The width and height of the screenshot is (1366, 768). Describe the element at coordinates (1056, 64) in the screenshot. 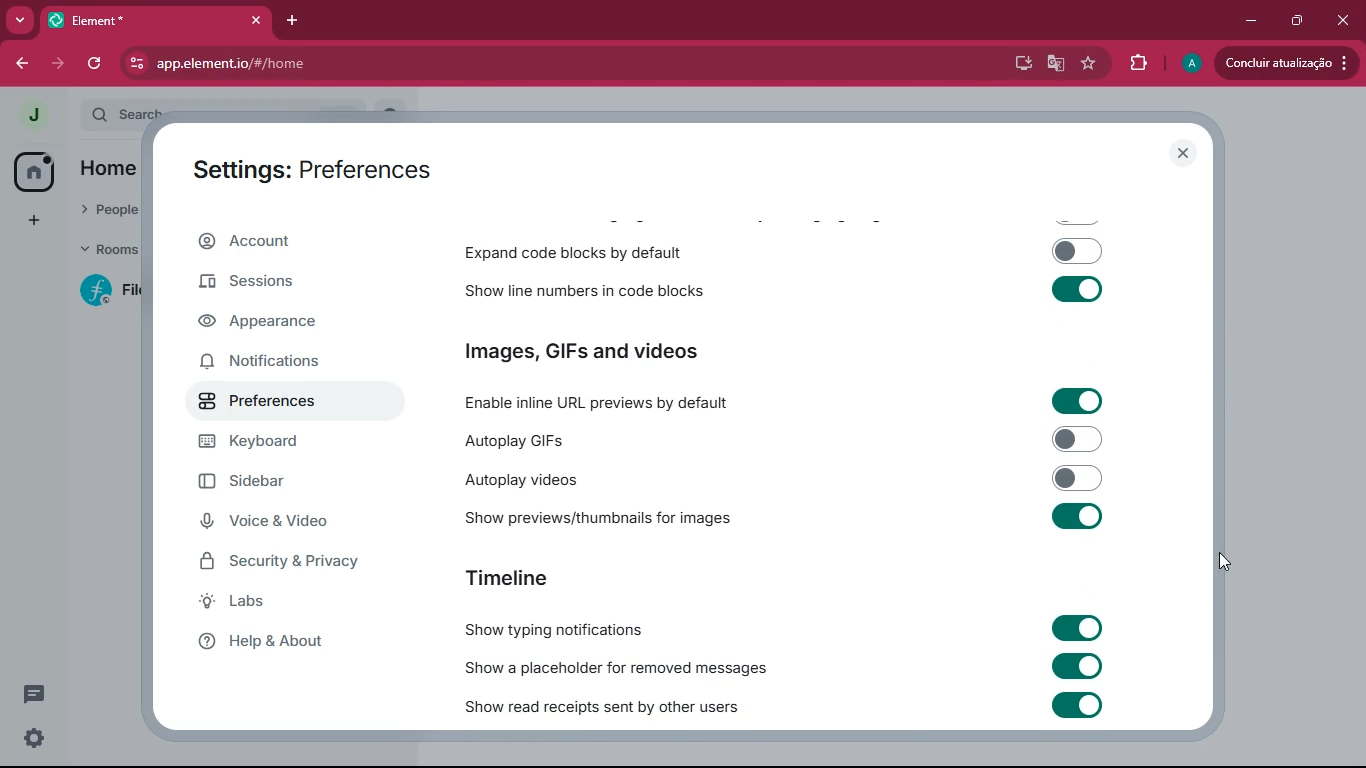

I see `google translate` at that location.